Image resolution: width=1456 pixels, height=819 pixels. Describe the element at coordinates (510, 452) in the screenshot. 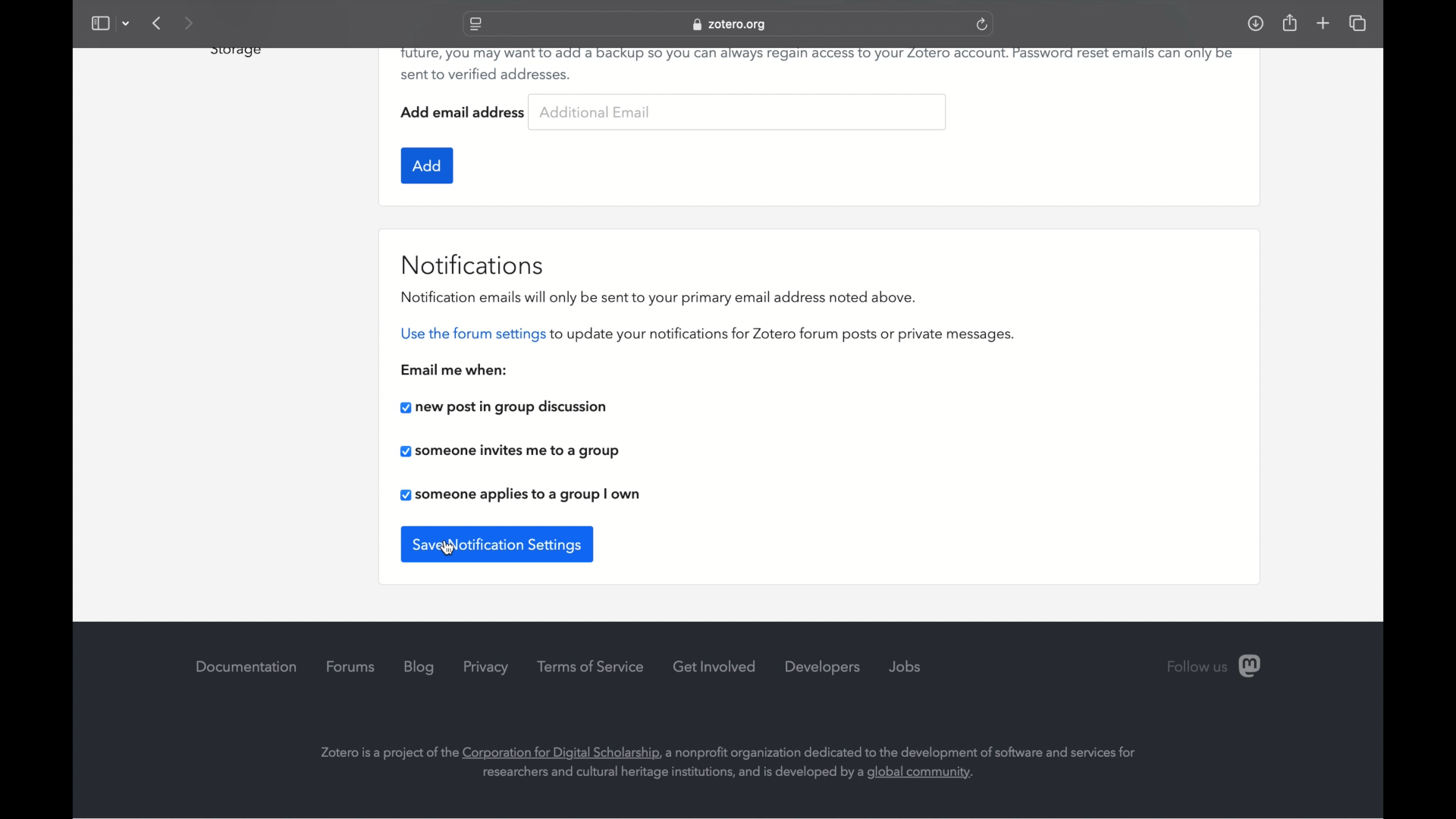

I see `someone invites me to a group` at that location.